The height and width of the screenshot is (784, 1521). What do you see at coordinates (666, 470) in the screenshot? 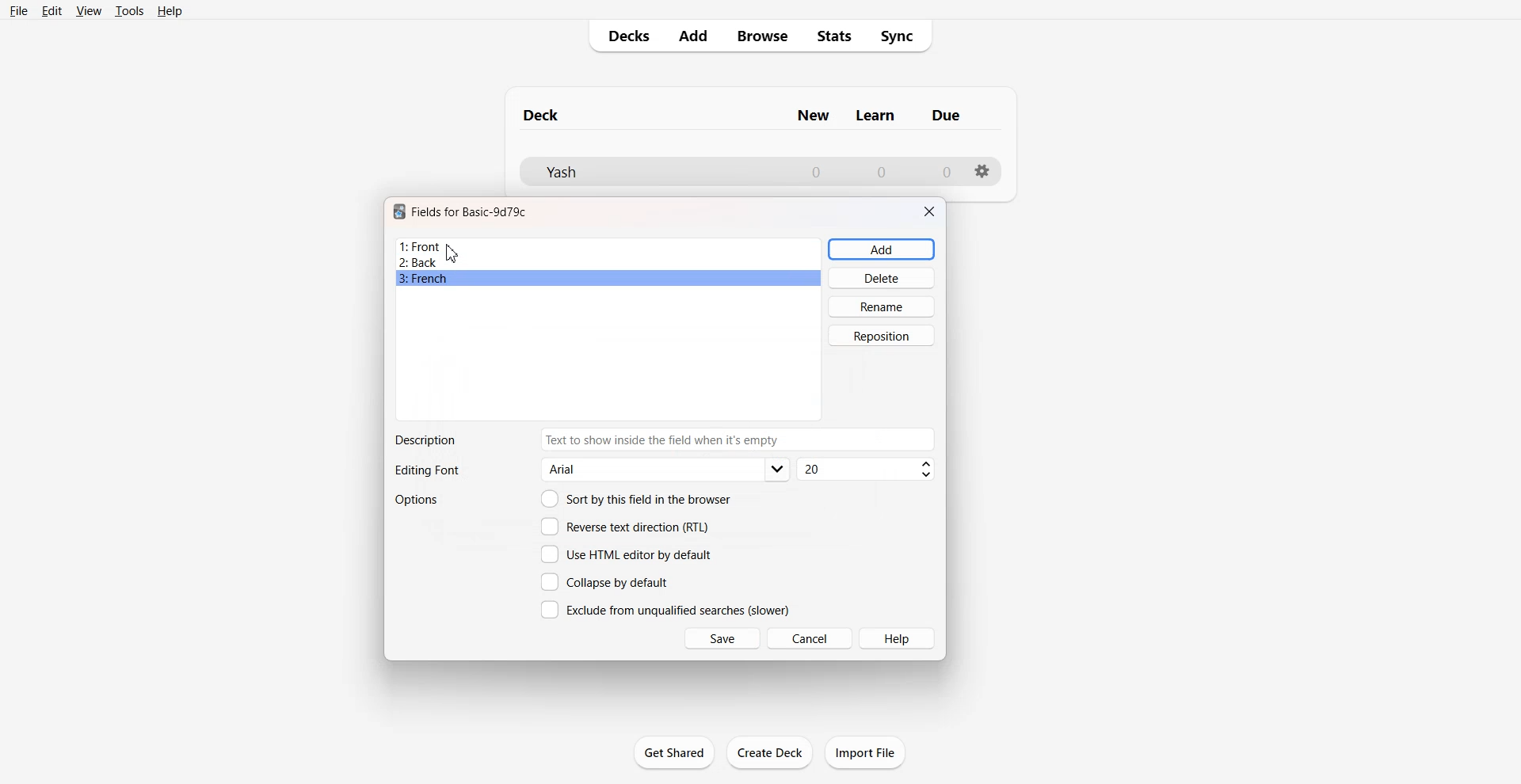
I see `Editing font options` at bounding box center [666, 470].